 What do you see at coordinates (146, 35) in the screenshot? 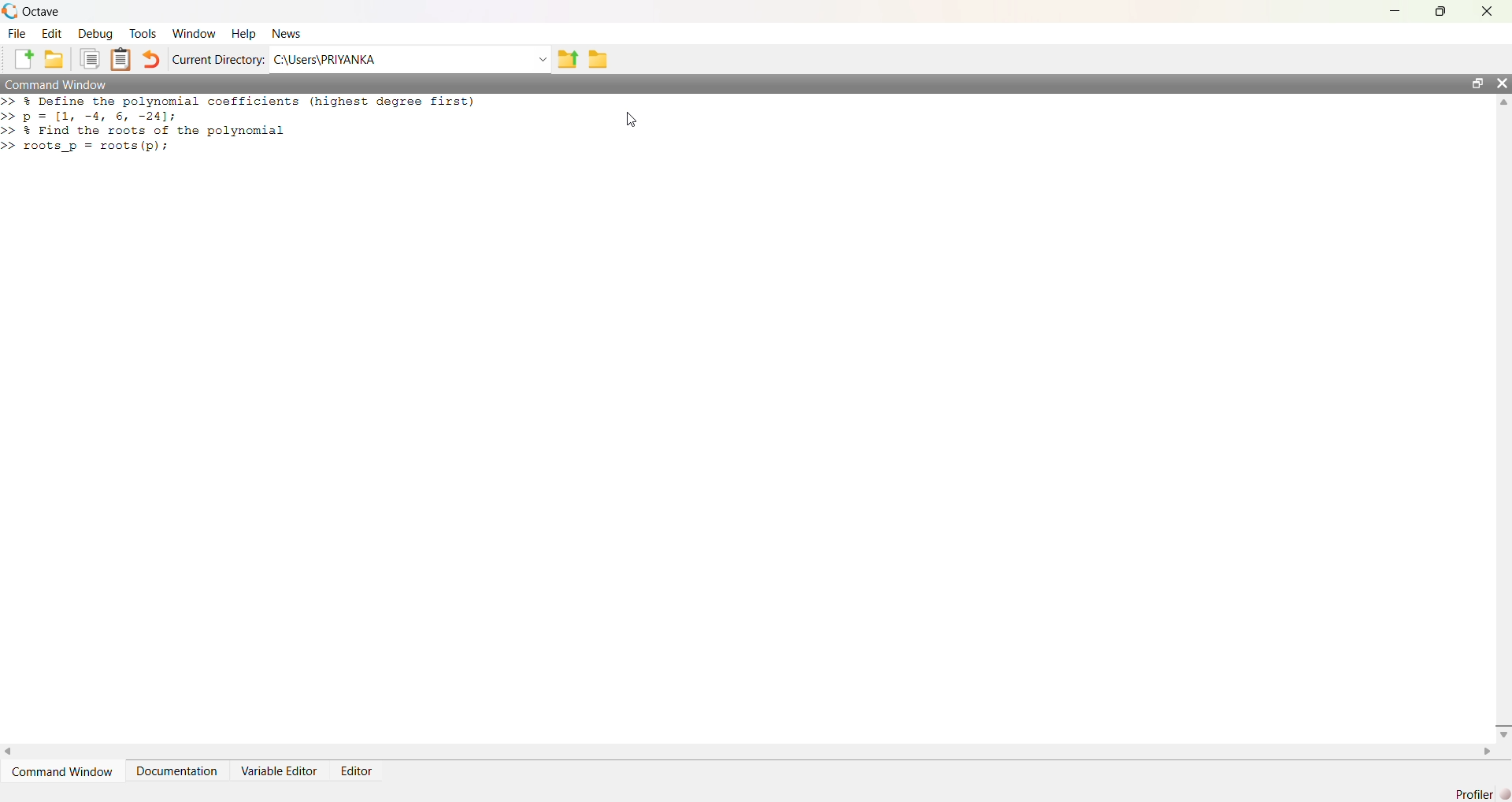
I see `Tools` at bounding box center [146, 35].